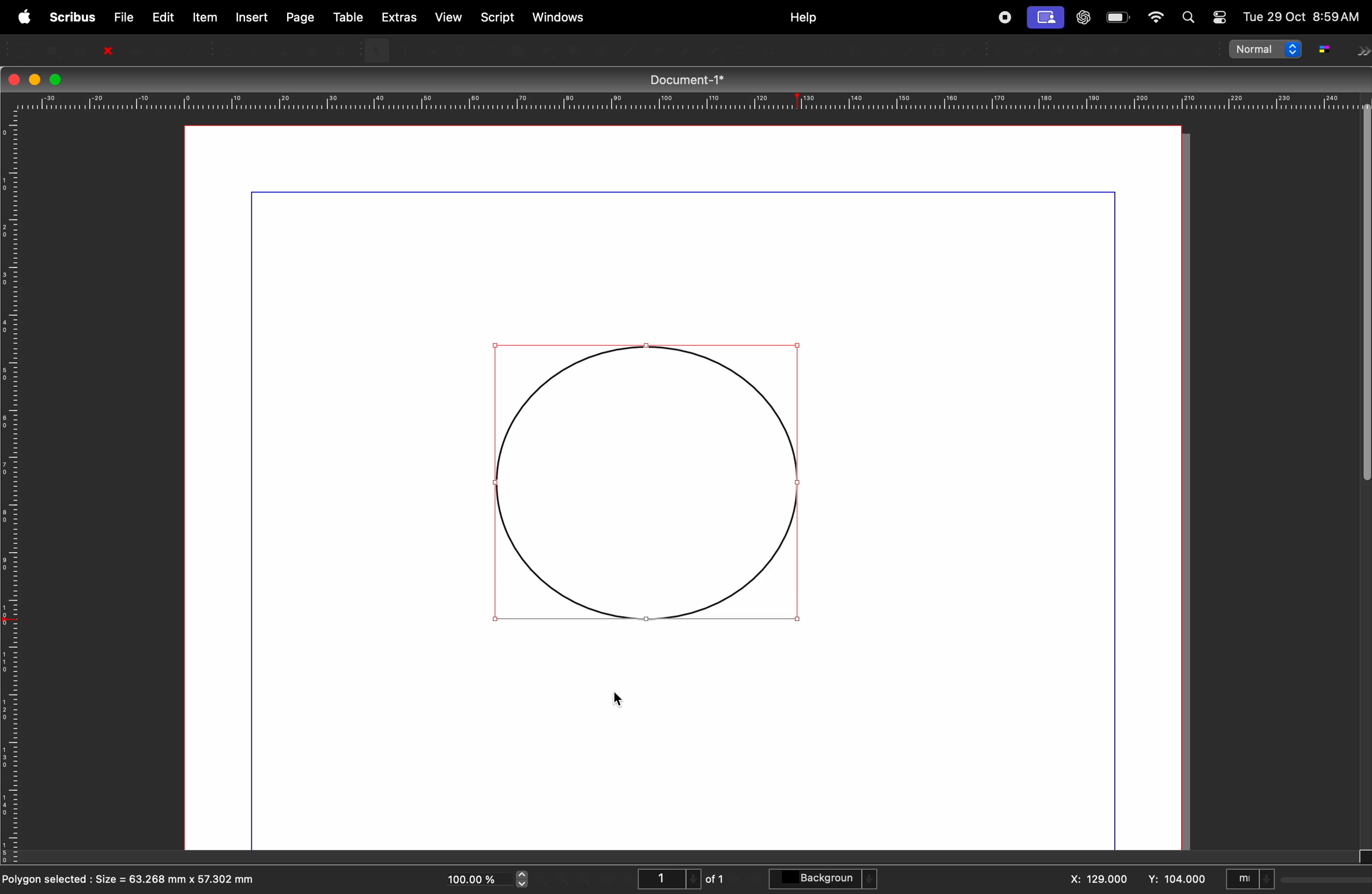  Describe the element at coordinates (10, 491) in the screenshot. I see `vertical scale` at that location.